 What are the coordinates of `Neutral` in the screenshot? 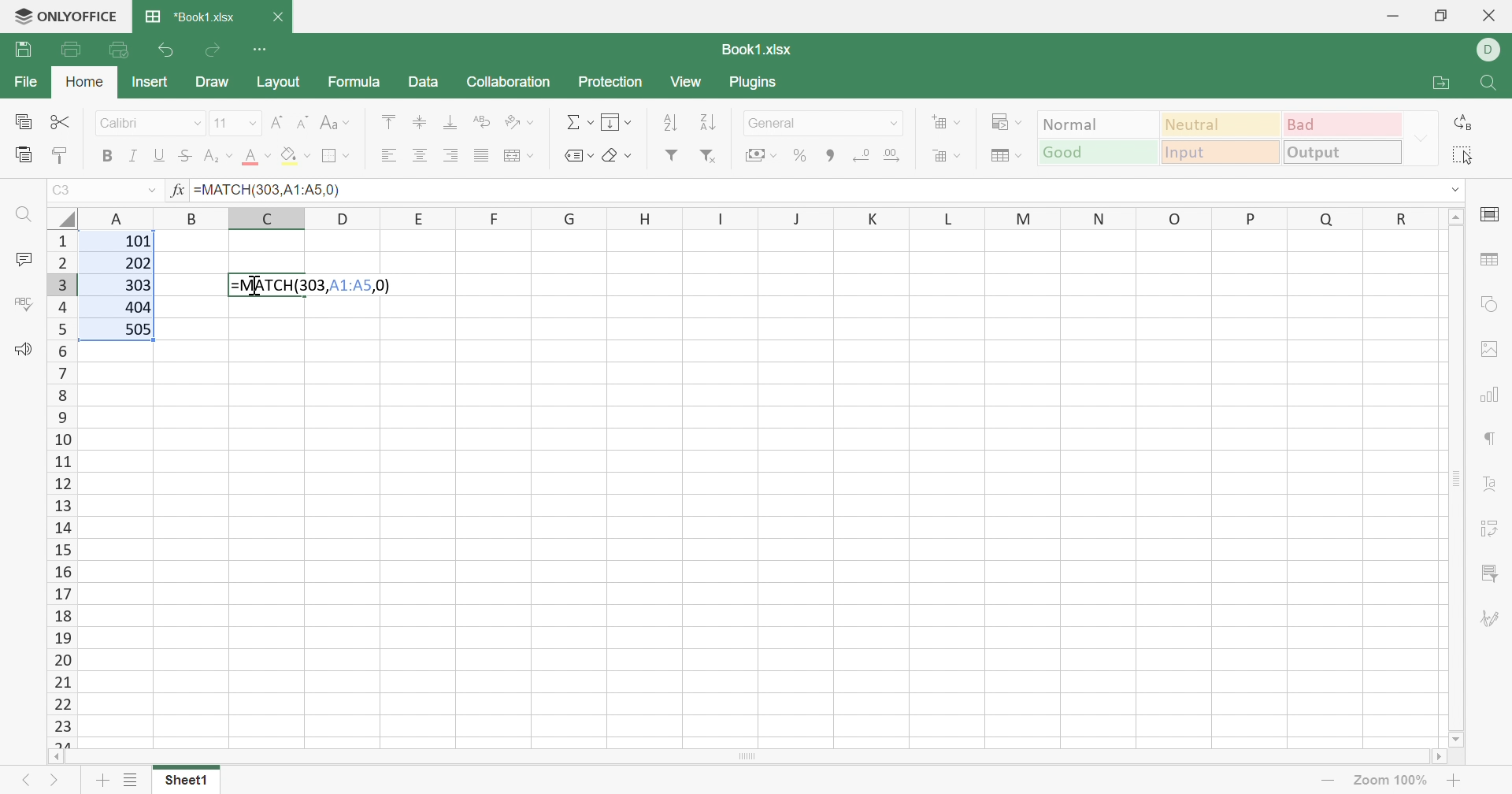 It's located at (1222, 124).